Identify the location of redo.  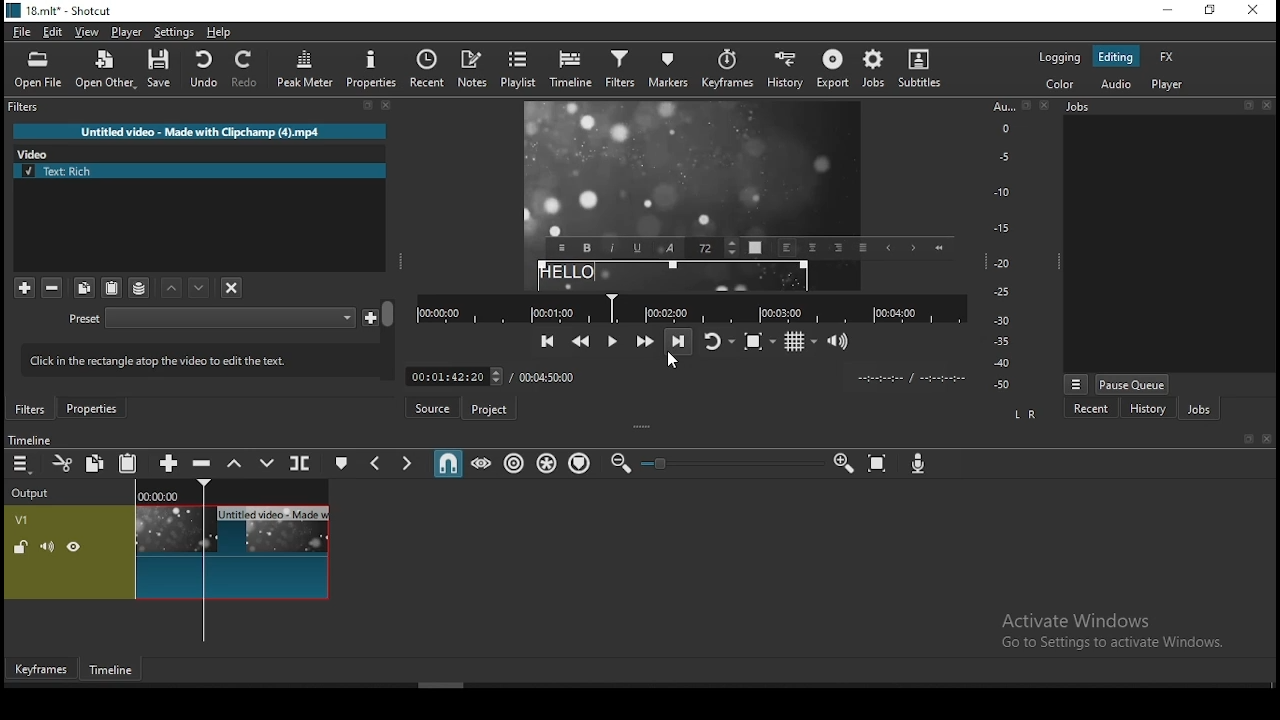
(246, 69).